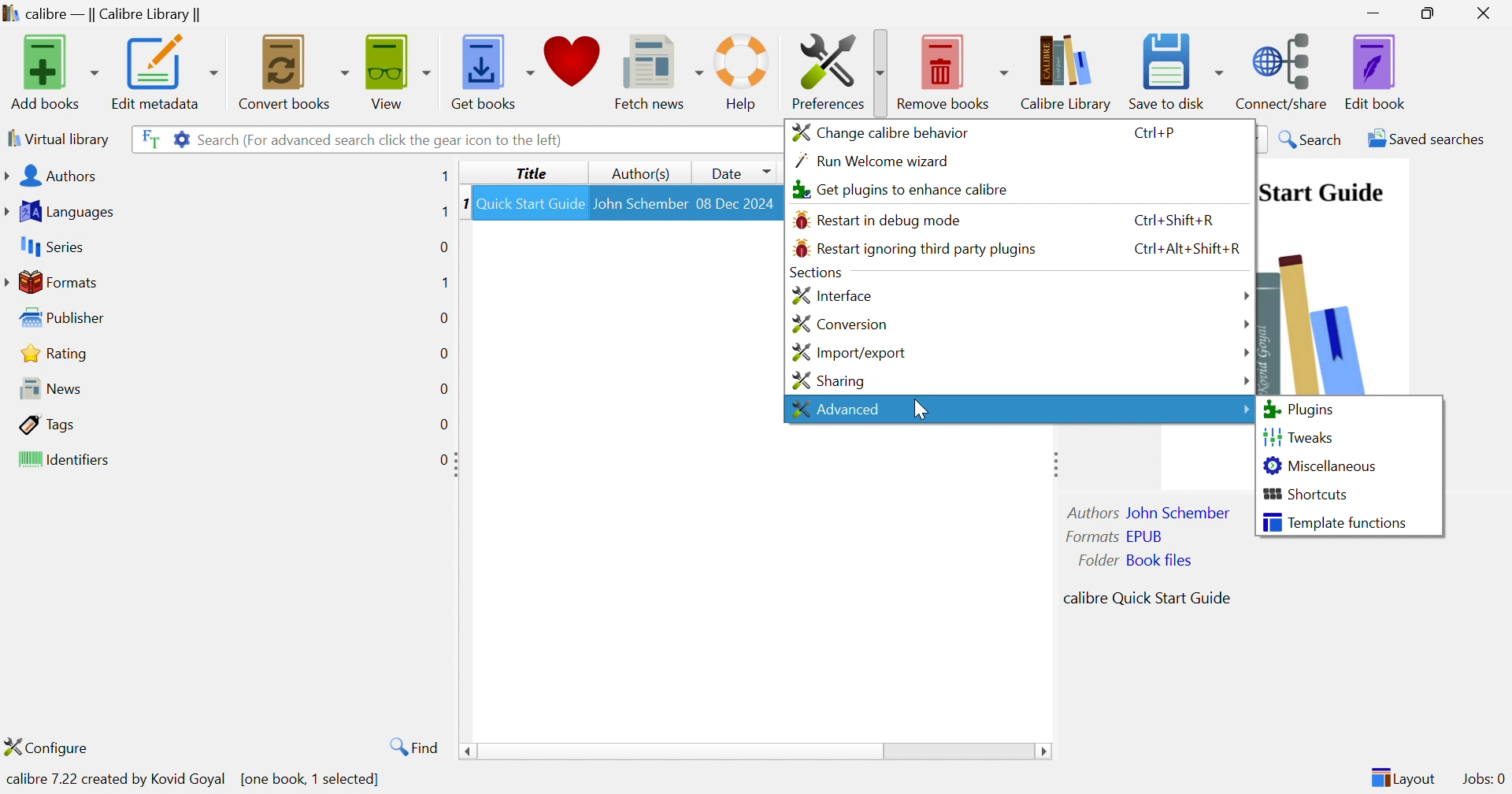 This screenshot has height=794, width=1512. What do you see at coordinates (1321, 465) in the screenshot?
I see `Miscellaneous` at bounding box center [1321, 465].